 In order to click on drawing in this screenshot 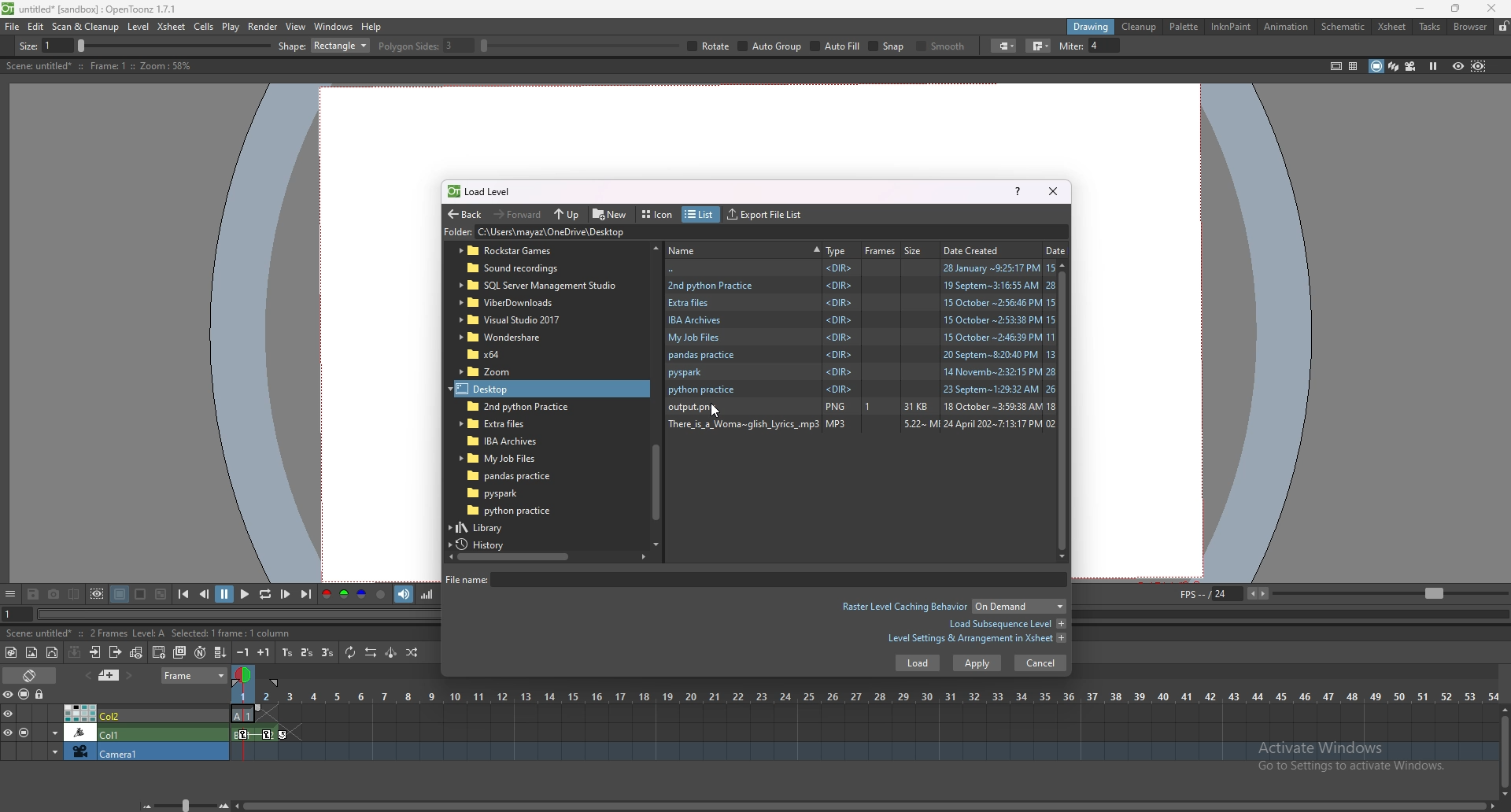, I will do `click(1092, 26)`.